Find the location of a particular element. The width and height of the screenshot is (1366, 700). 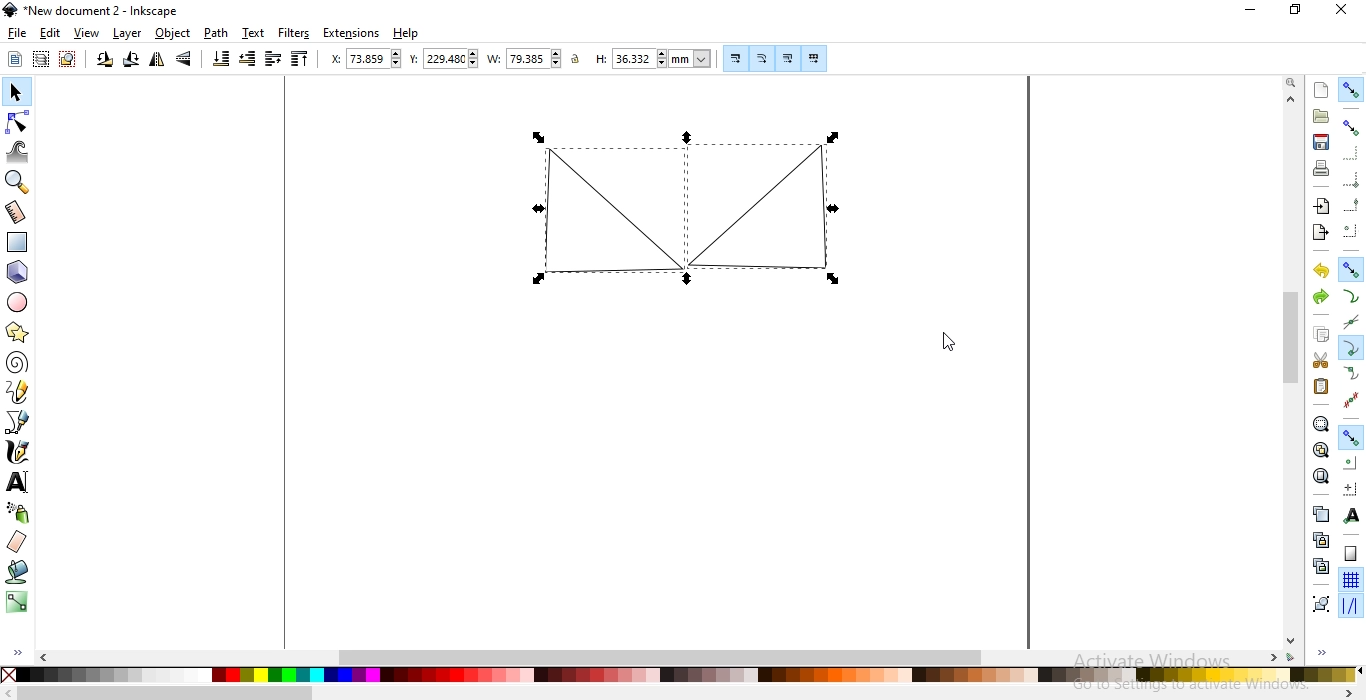

copy selection to clipboard is located at coordinates (1323, 336).